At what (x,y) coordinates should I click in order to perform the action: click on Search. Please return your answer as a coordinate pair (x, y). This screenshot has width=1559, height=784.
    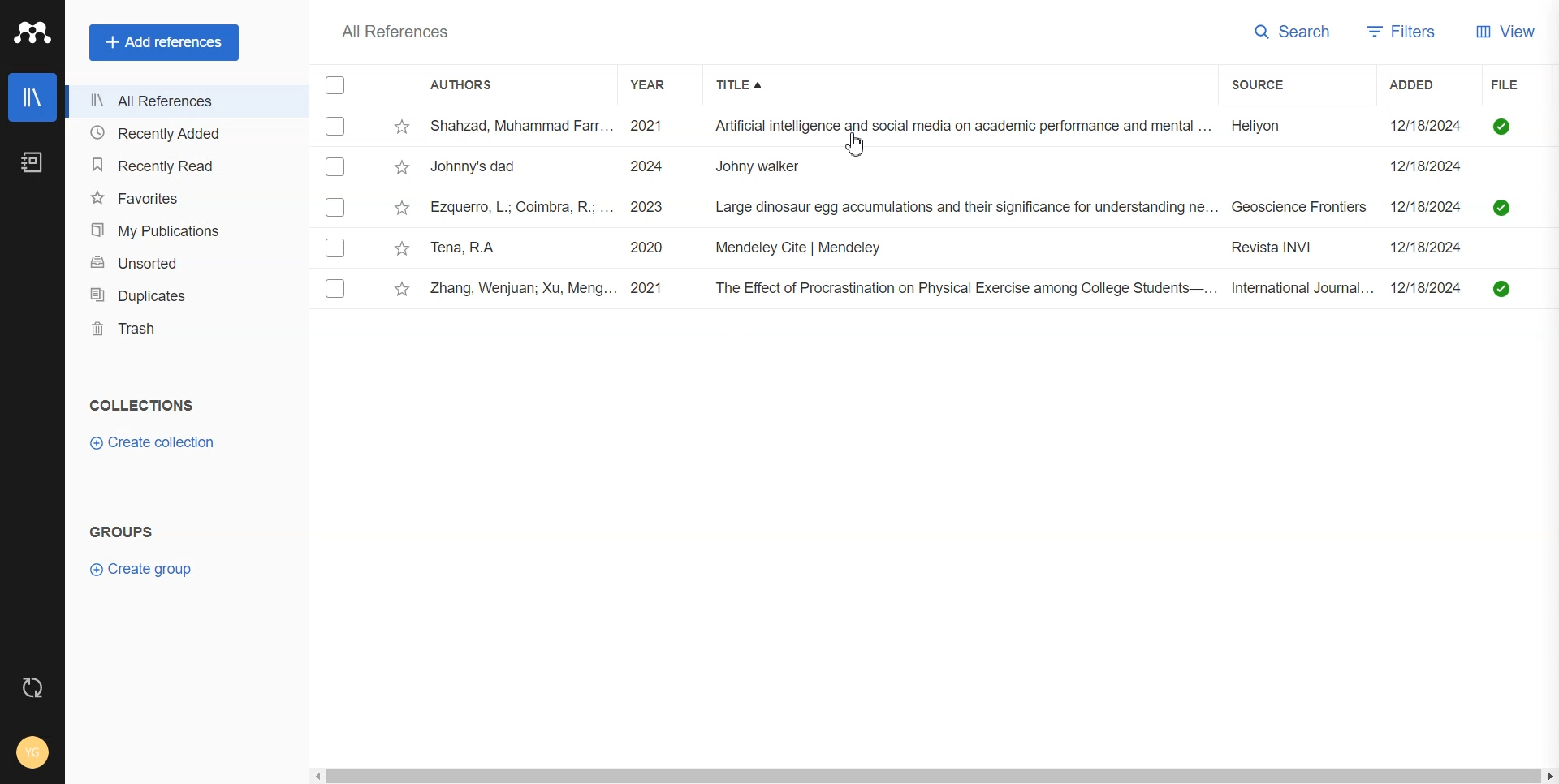
    Looking at the image, I should click on (1293, 32).